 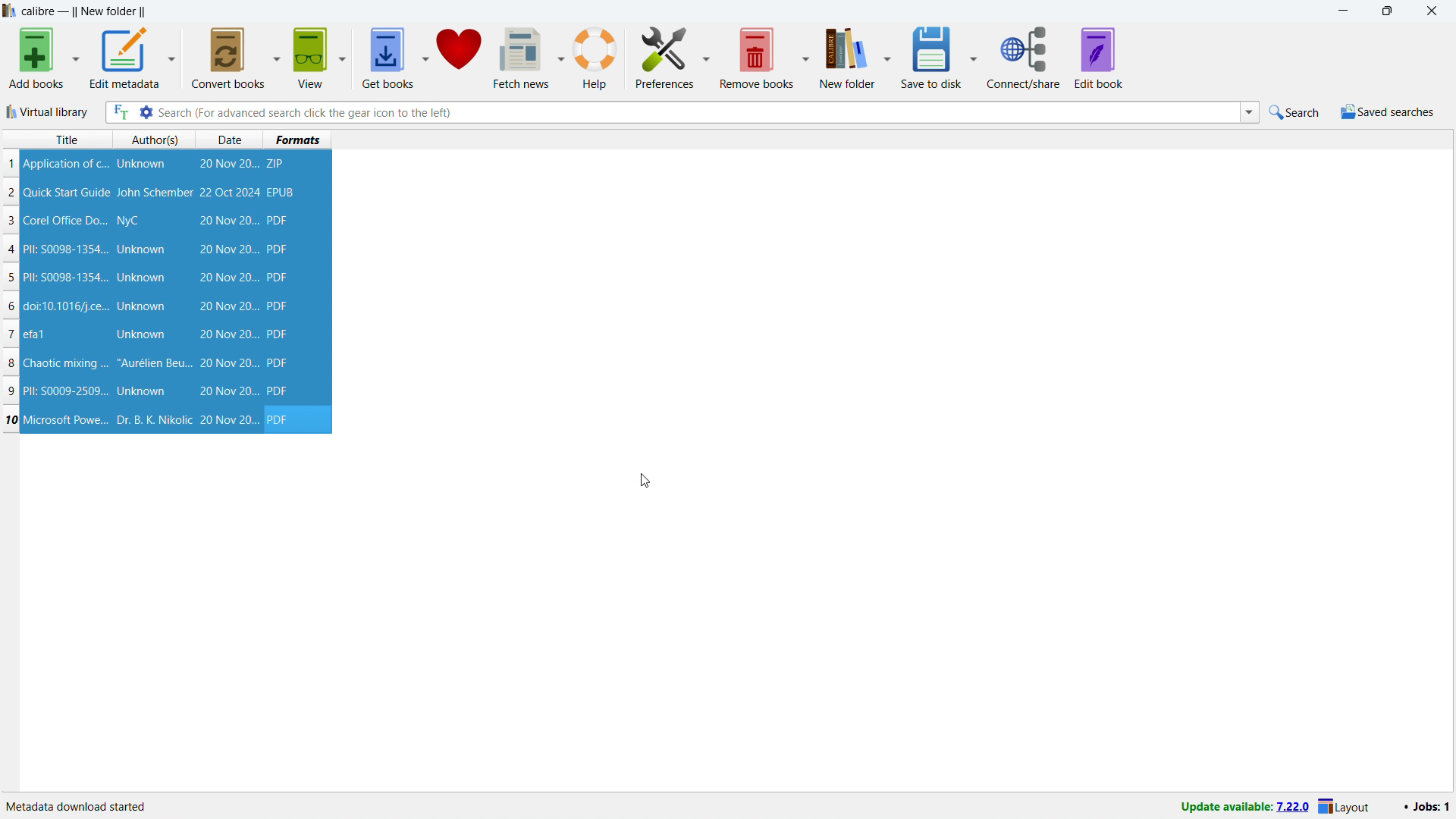 What do you see at coordinates (48, 111) in the screenshot?
I see `virtual library` at bounding box center [48, 111].